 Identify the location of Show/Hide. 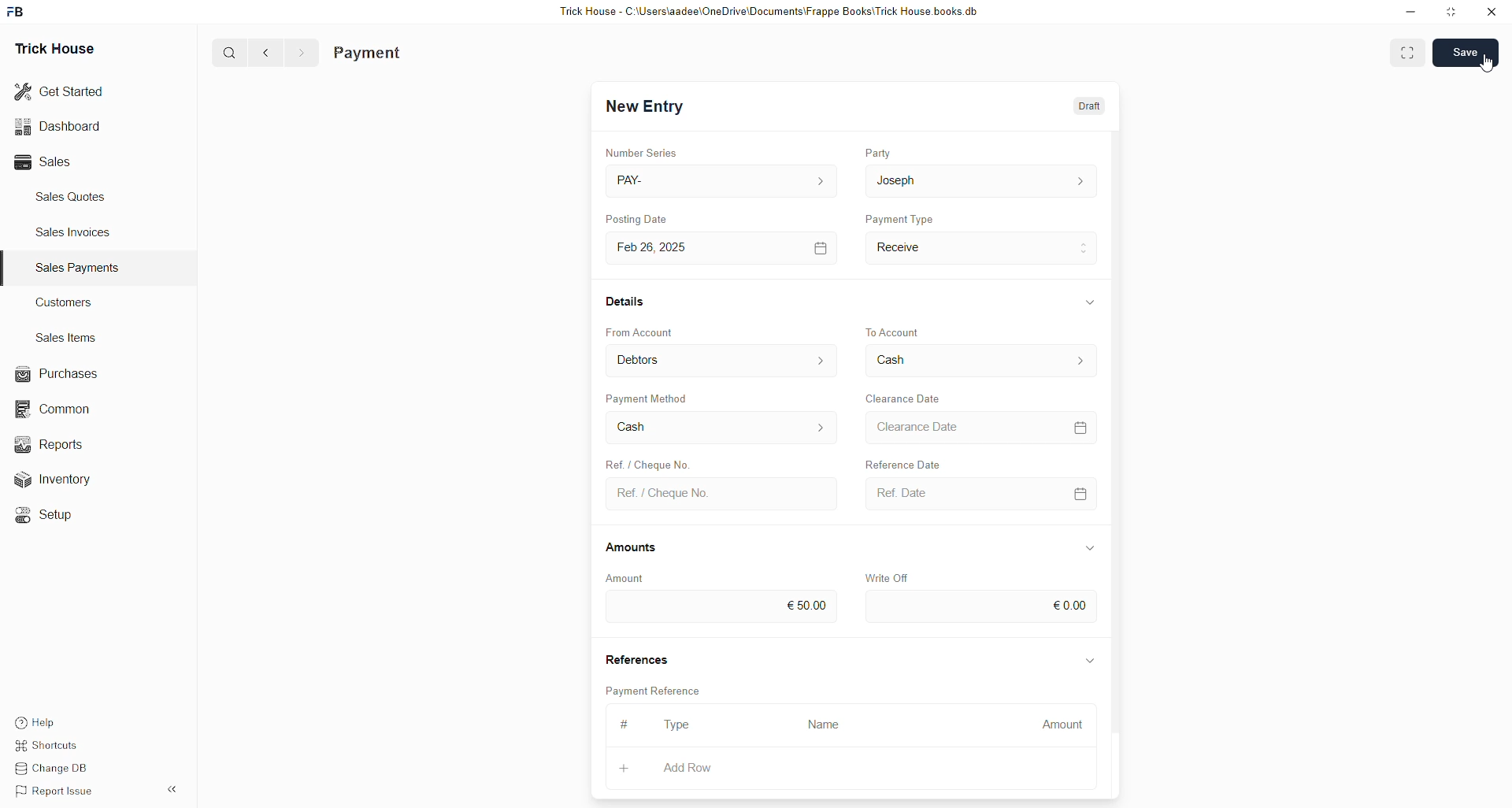
(1089, 548).